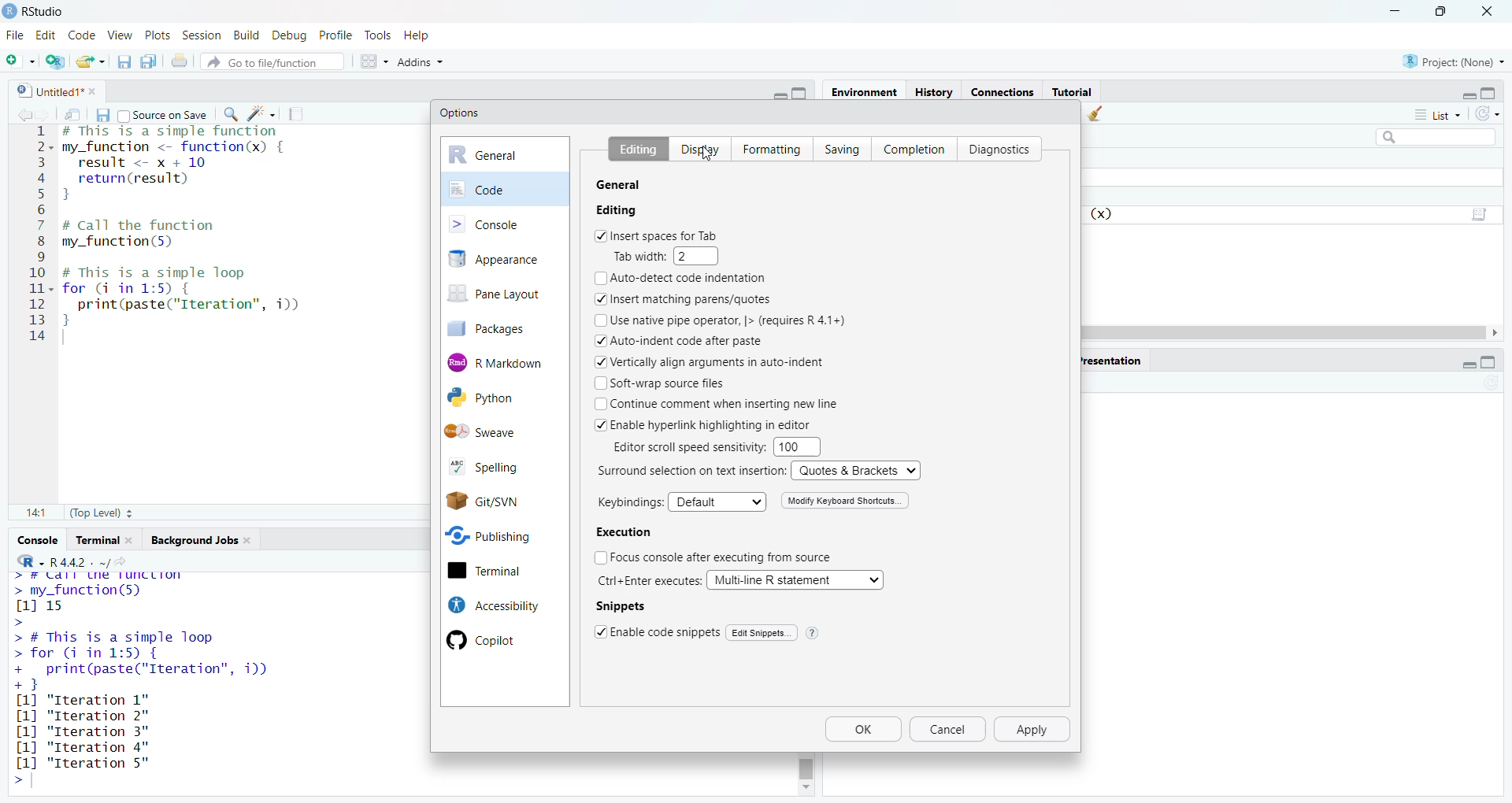  I want to click on Python, so click(499, 398).